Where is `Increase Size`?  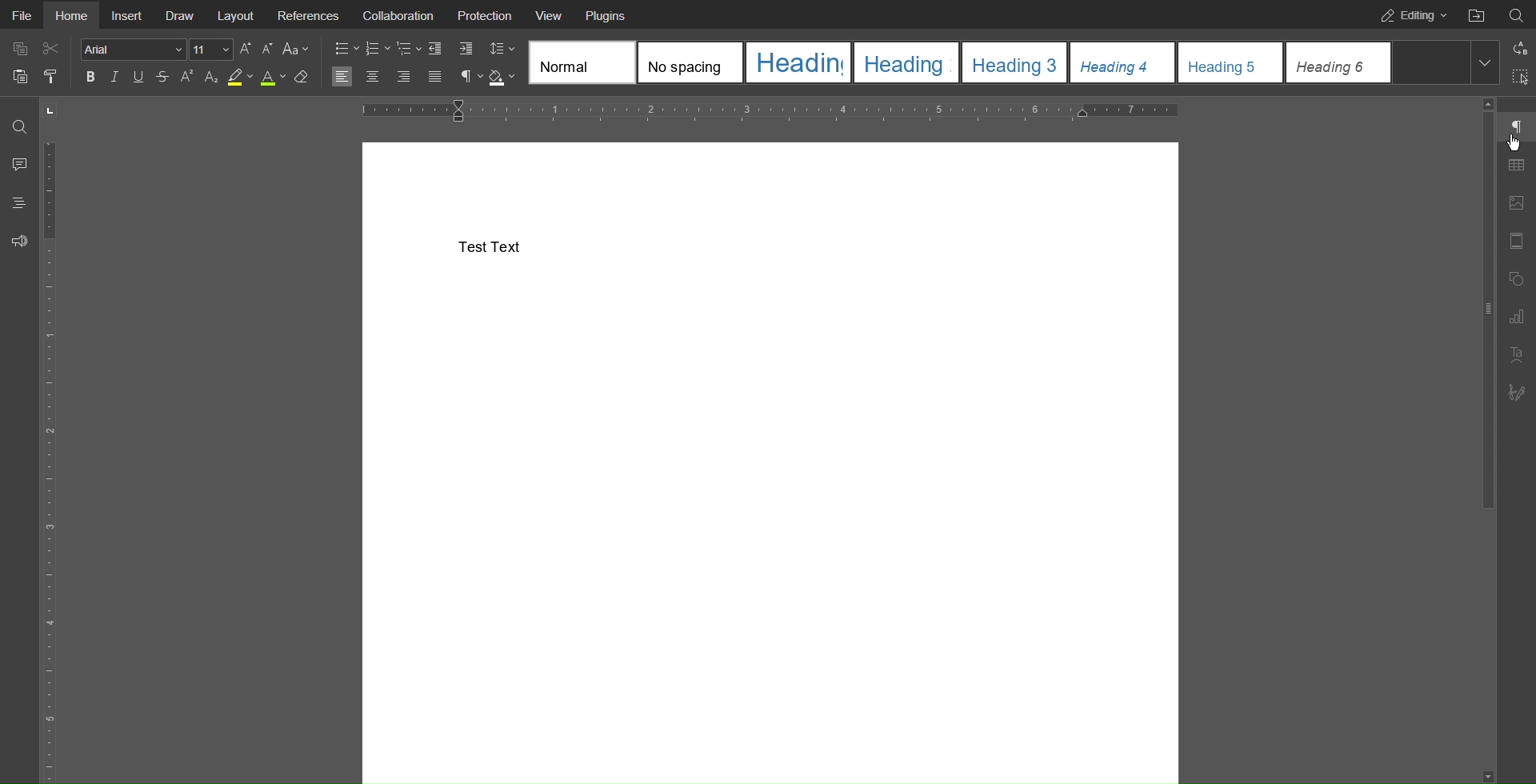
Increase Size is located at coordinates (247, 49).